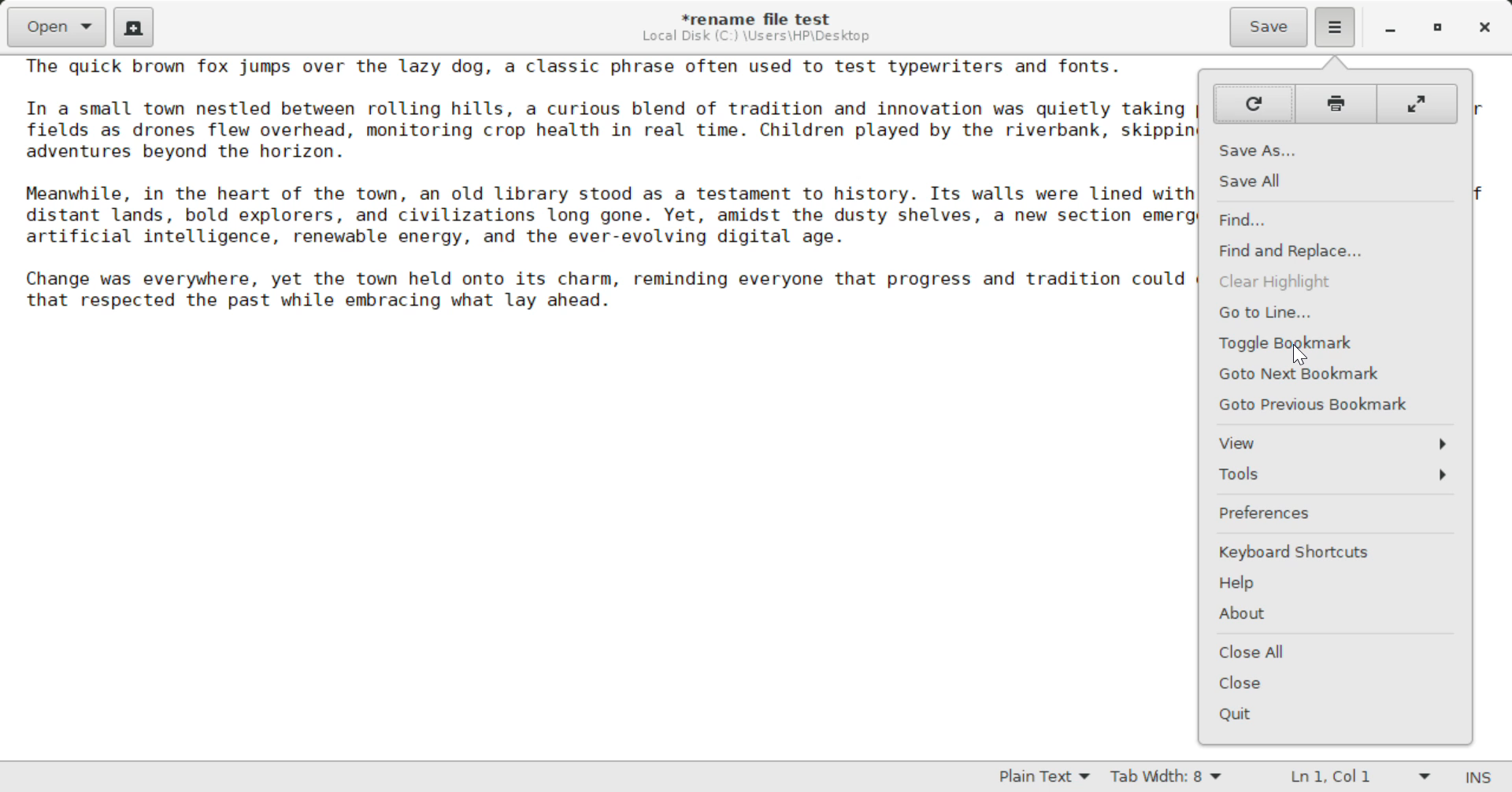 This screenshot has height=792, width=1512. What do you see at coordinates (755, 17) in the screenshot?
I see `File Name` at bounding box center [755, 17].